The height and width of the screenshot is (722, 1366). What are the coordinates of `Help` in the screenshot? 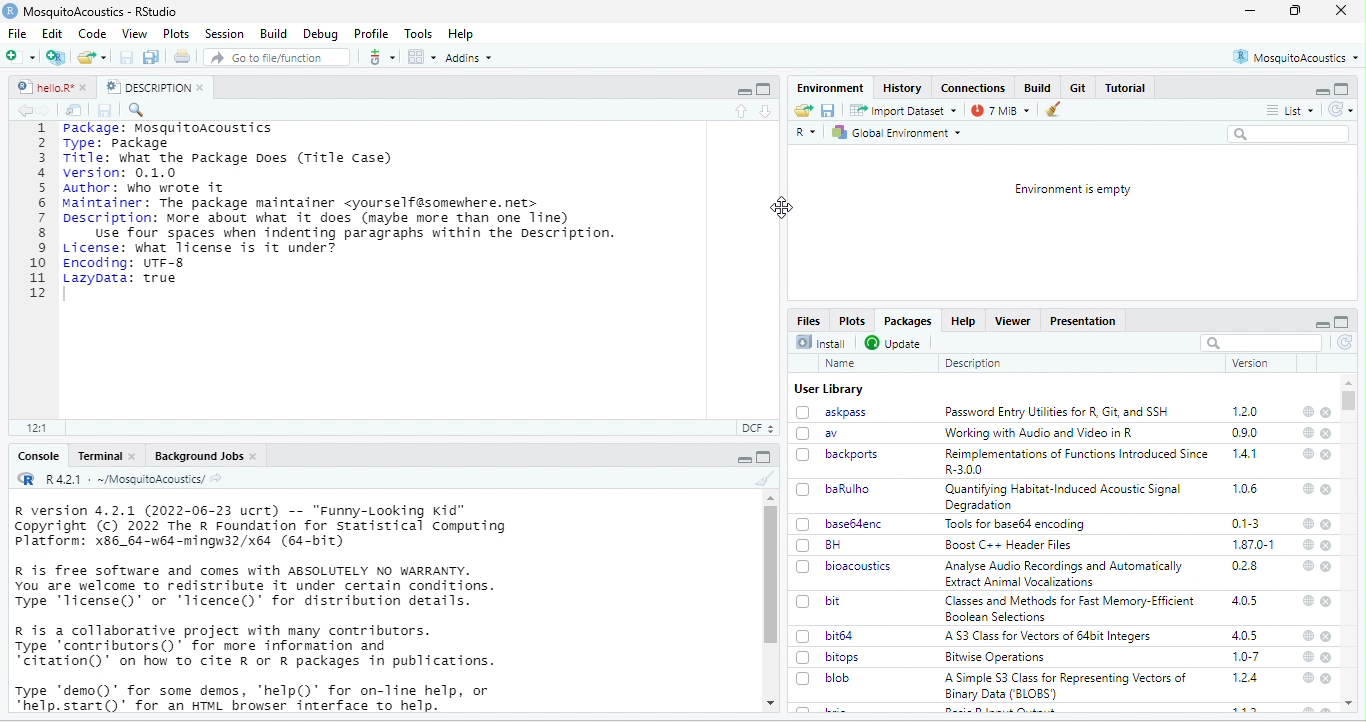 It's located at (966, 322).